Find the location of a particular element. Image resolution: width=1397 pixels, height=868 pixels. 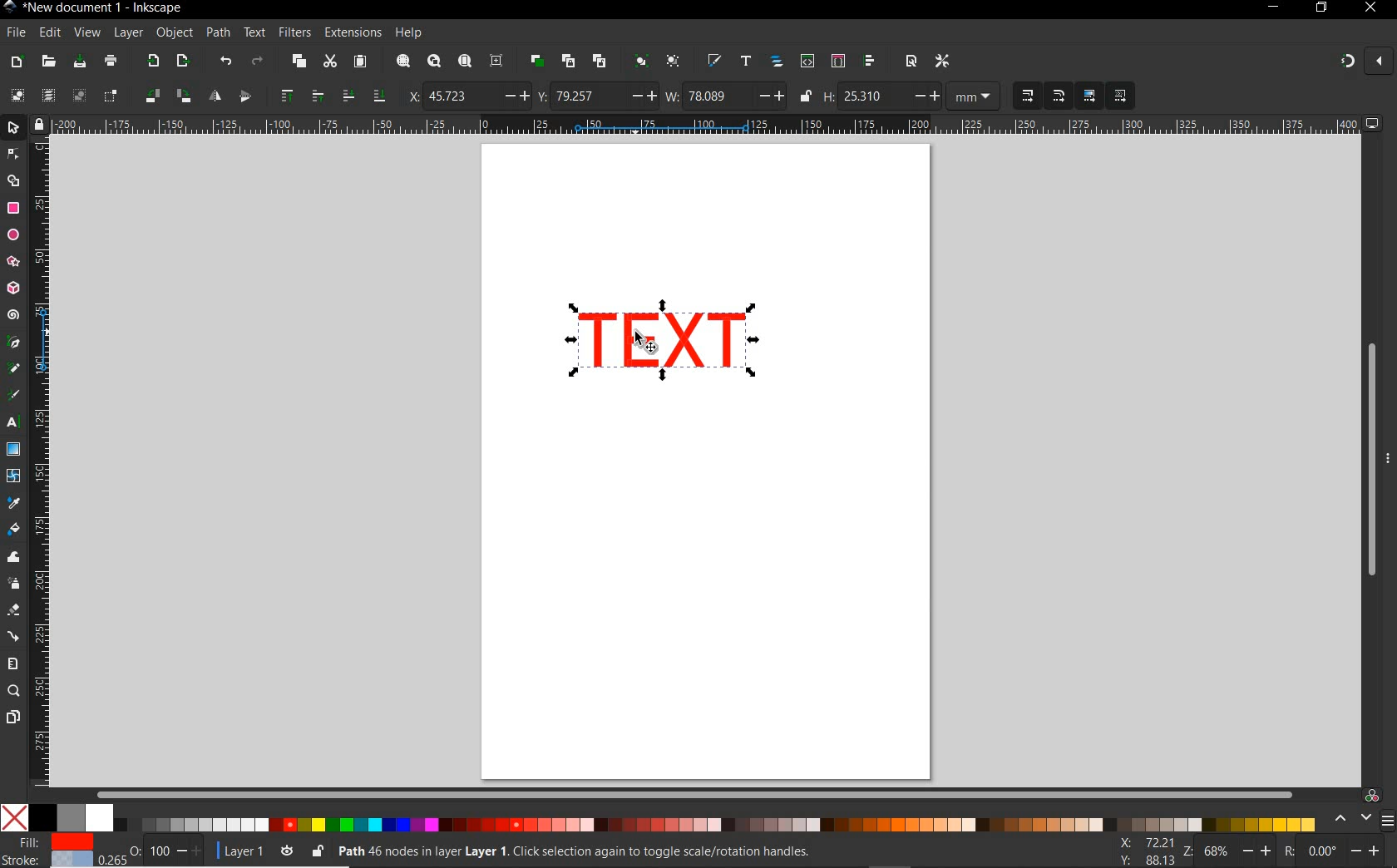

SCROLLBAR is located at coordinates (692, 792).